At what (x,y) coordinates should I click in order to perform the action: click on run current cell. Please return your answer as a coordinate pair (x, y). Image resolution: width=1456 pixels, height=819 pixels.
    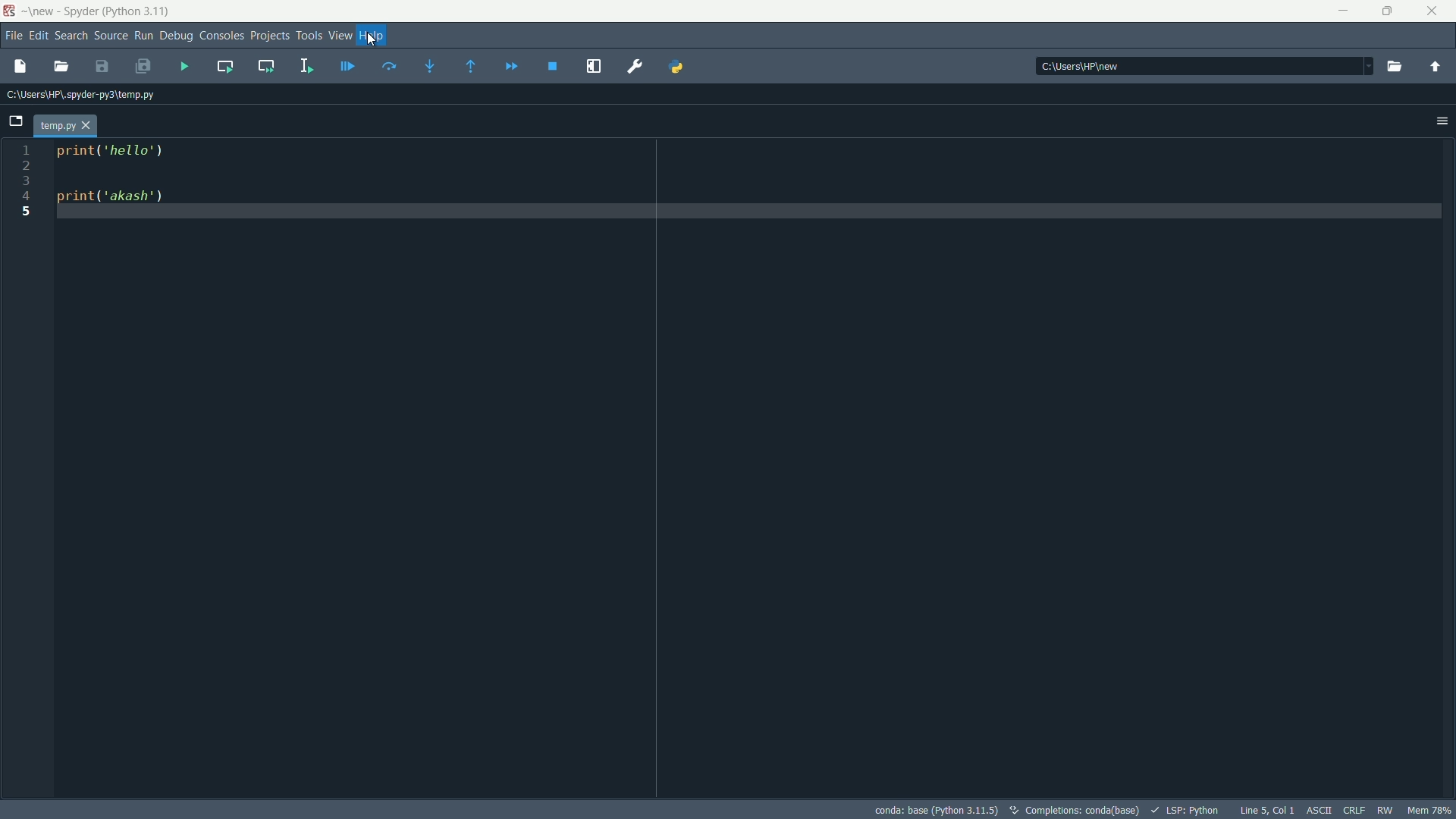
    Looking at the image, I should click on (222, 66).